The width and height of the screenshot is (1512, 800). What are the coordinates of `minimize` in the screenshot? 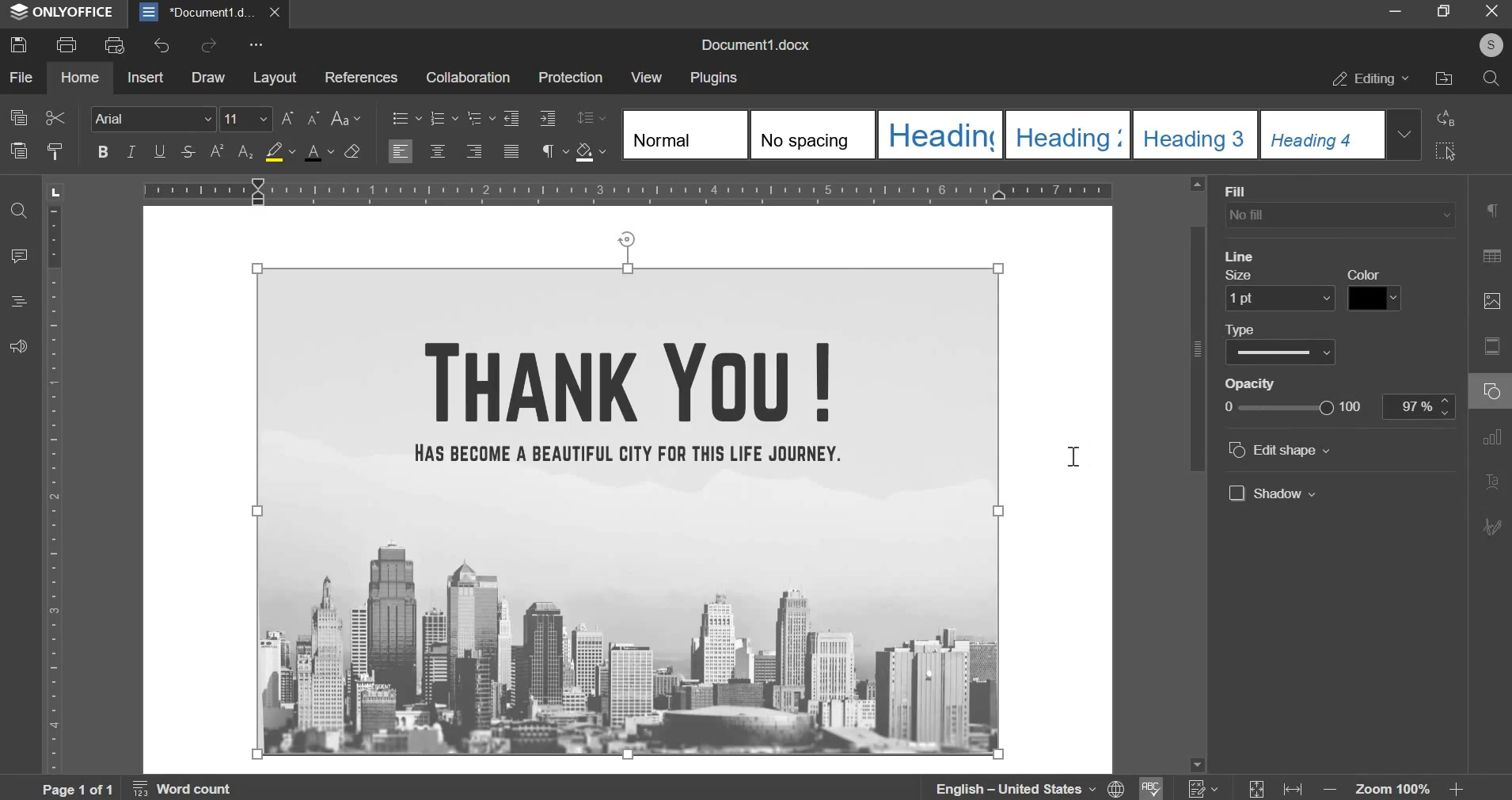 It's located at (1397, 12).